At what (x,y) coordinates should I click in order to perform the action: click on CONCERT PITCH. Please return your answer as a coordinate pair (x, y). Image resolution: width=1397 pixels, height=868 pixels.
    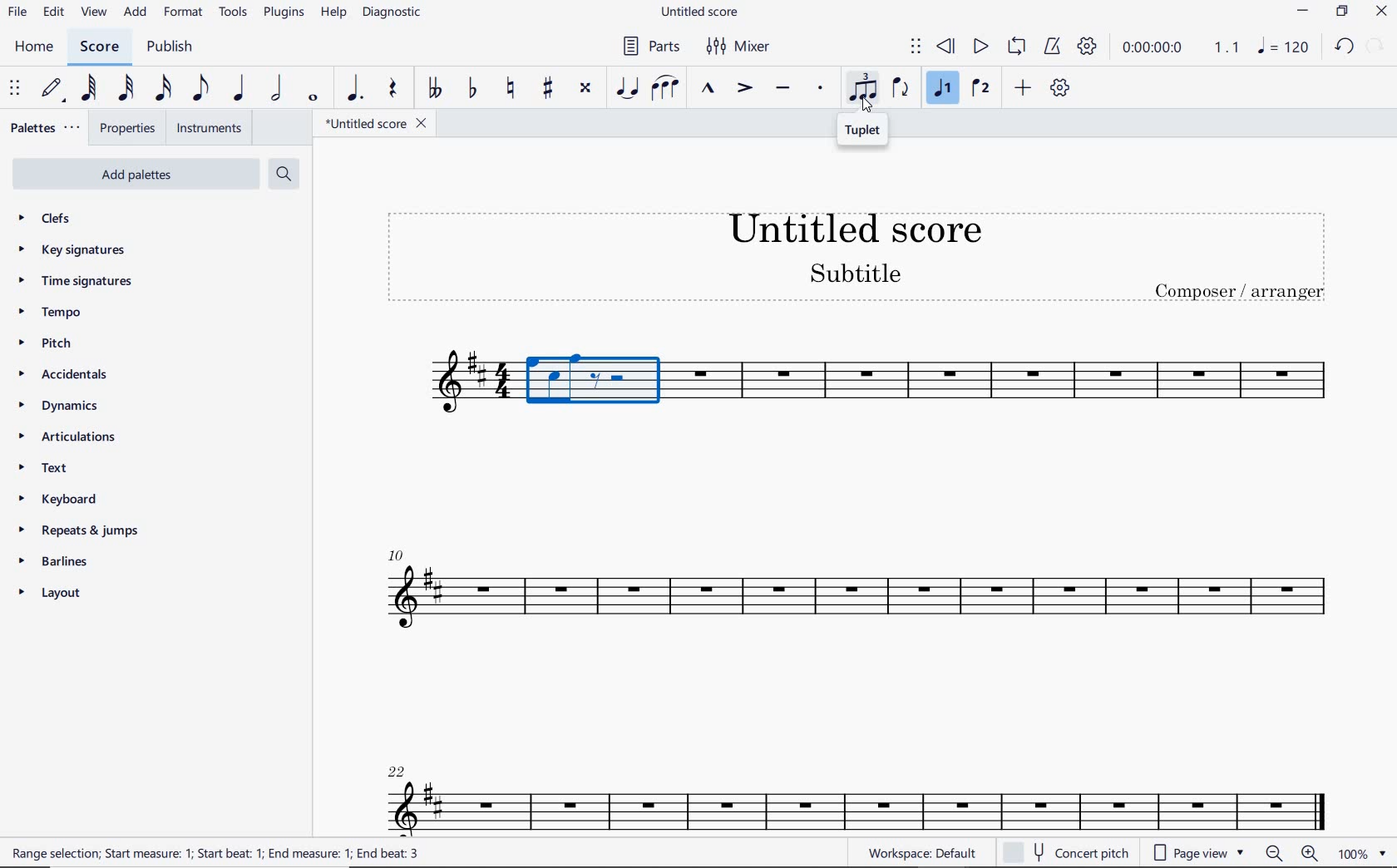
    Looking at the image, I should click on (1065, 854).